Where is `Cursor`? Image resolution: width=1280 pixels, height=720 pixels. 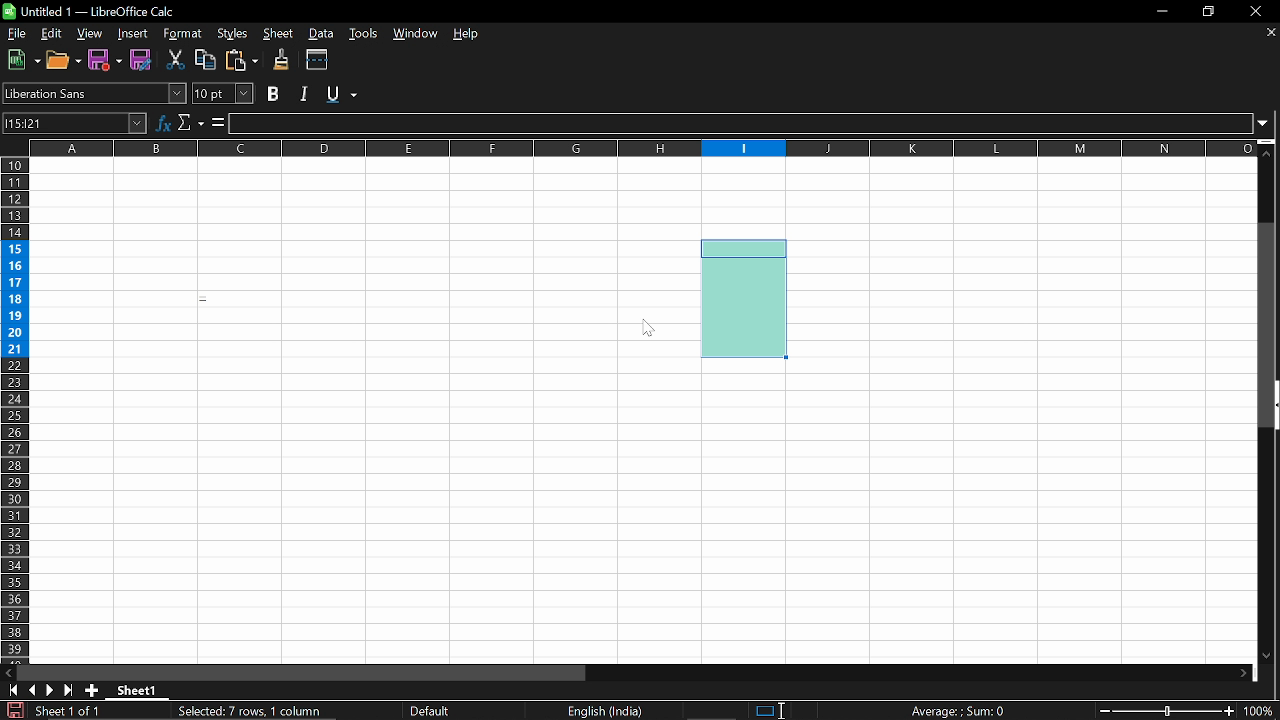
Cursor is located at coordinates (649, 329).